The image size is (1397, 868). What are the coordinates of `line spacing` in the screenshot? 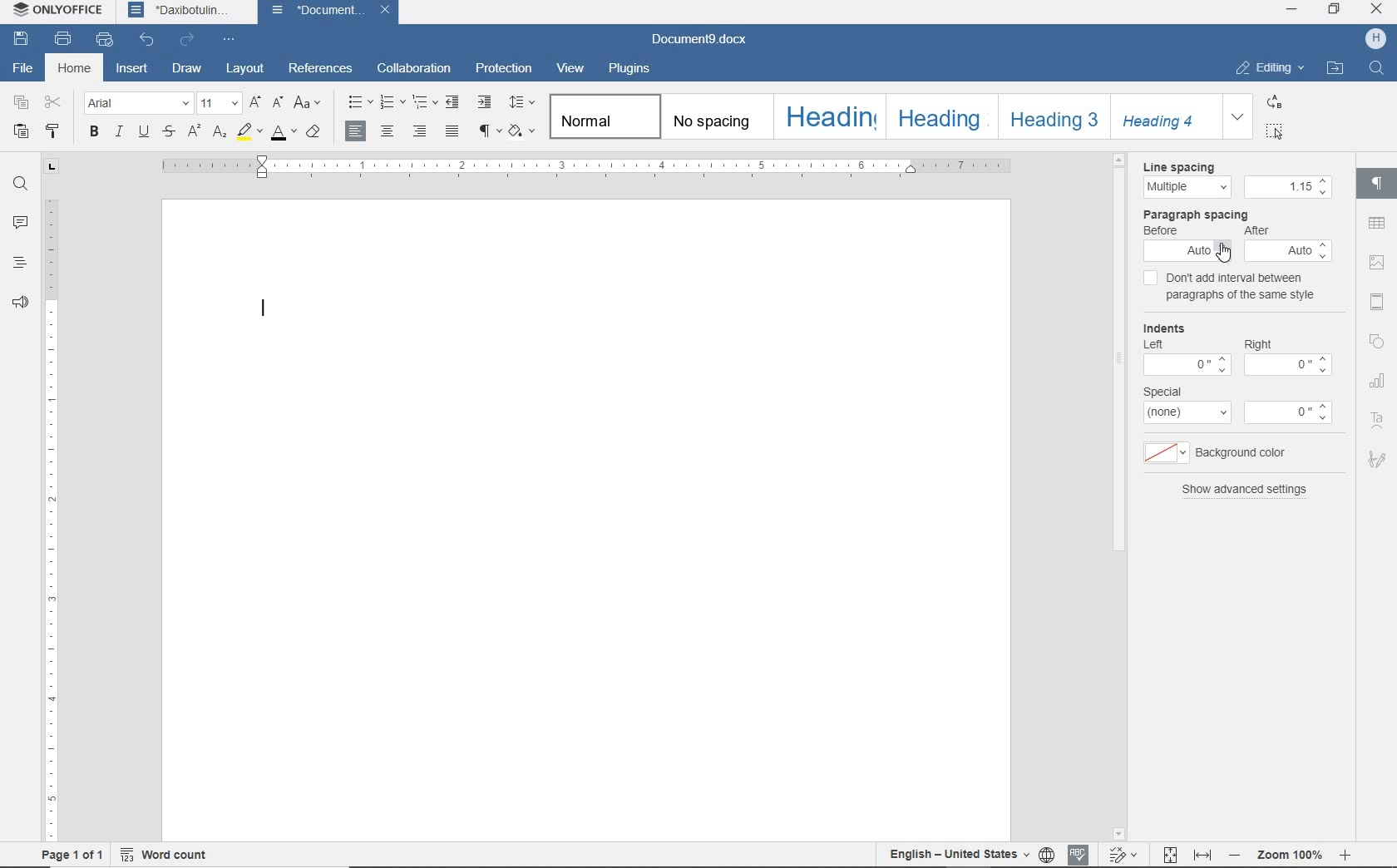 It's located at (1187, 187).